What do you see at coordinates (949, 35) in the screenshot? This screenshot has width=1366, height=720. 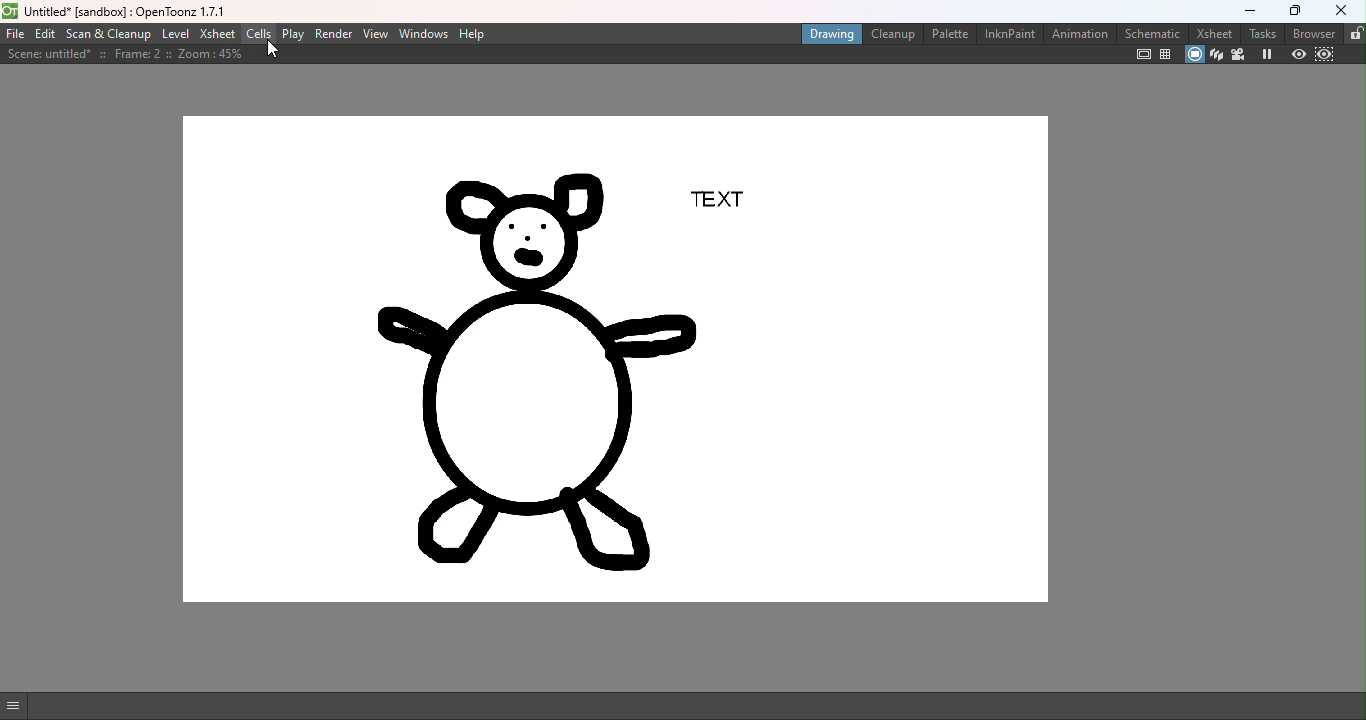 I see `Palette` at bounding box center [949, 35].